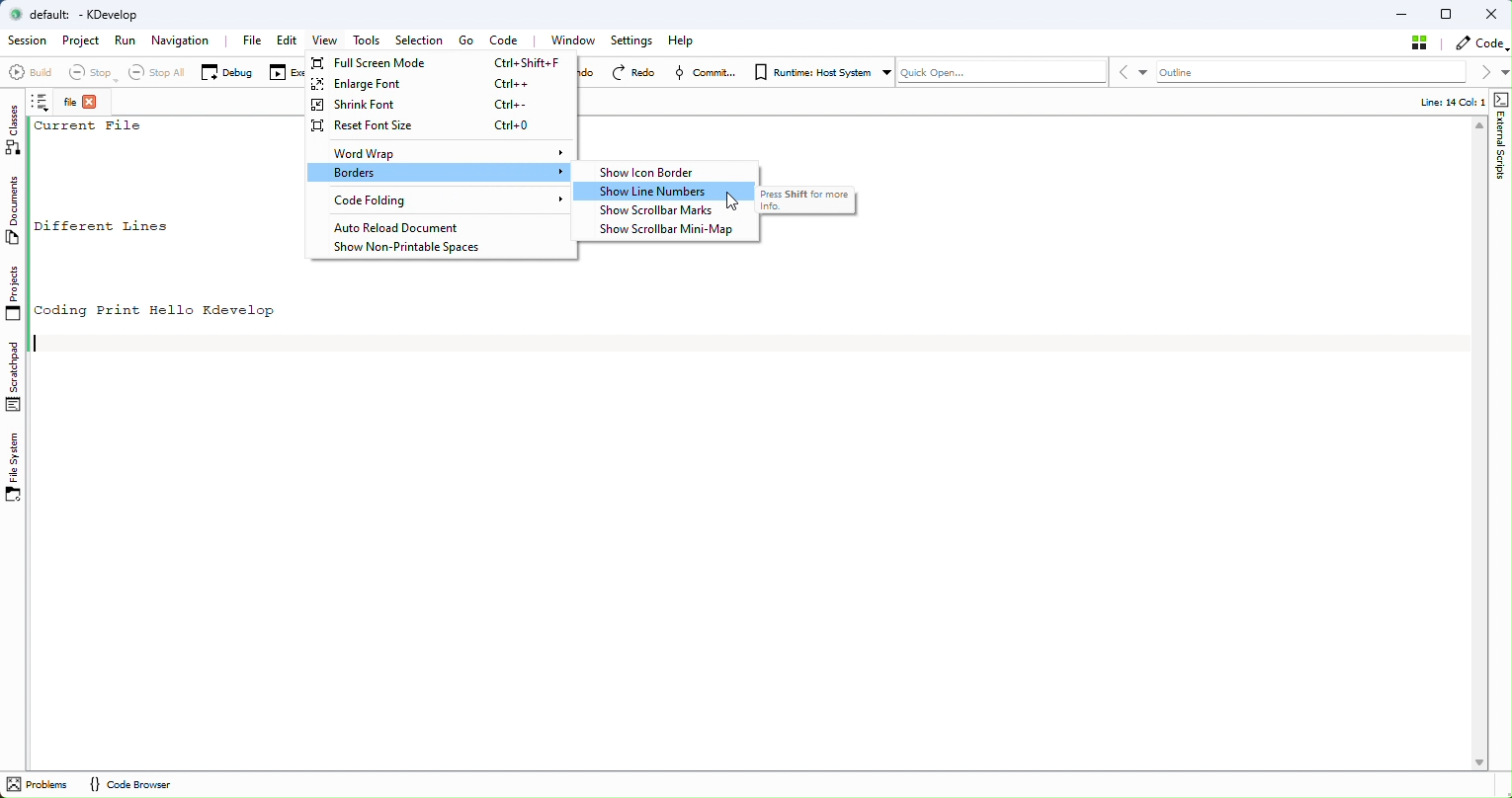 The width and height of the screenshot is (1512, 798). Describe the element at coordinates (464, 41) in the screenshot. I see `Go` at that location.